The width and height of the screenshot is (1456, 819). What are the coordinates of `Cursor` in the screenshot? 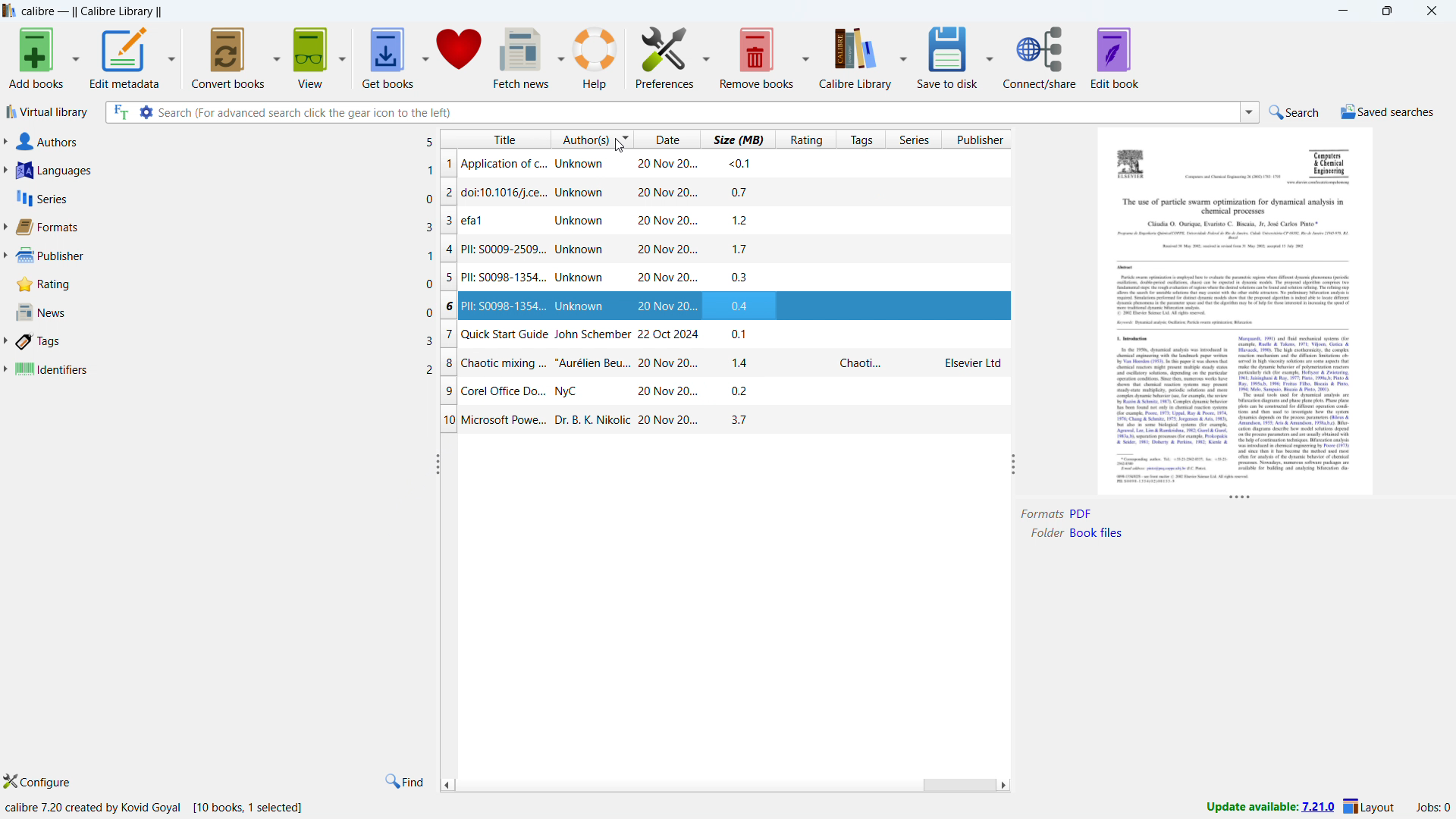 It's located at (618, 145).